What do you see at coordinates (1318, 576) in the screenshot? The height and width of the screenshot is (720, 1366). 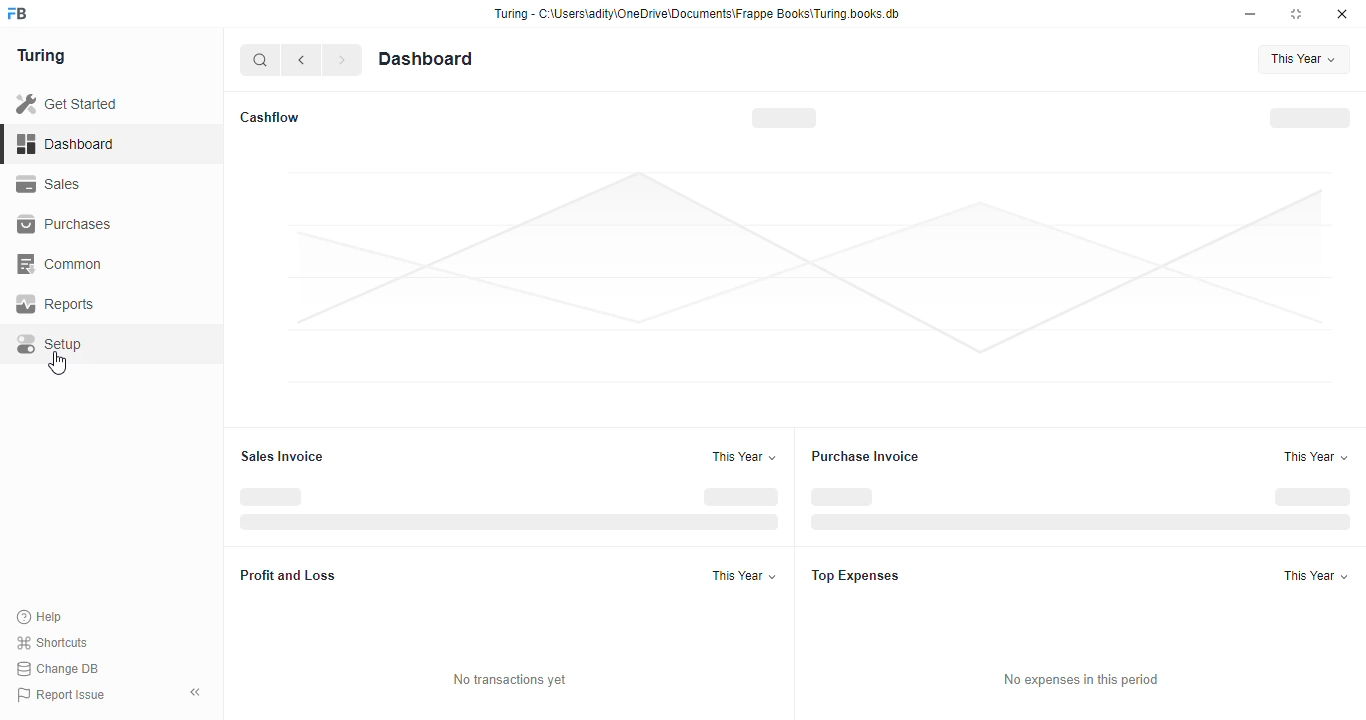 I see `This Year ` at bounding box center [1318, 576].